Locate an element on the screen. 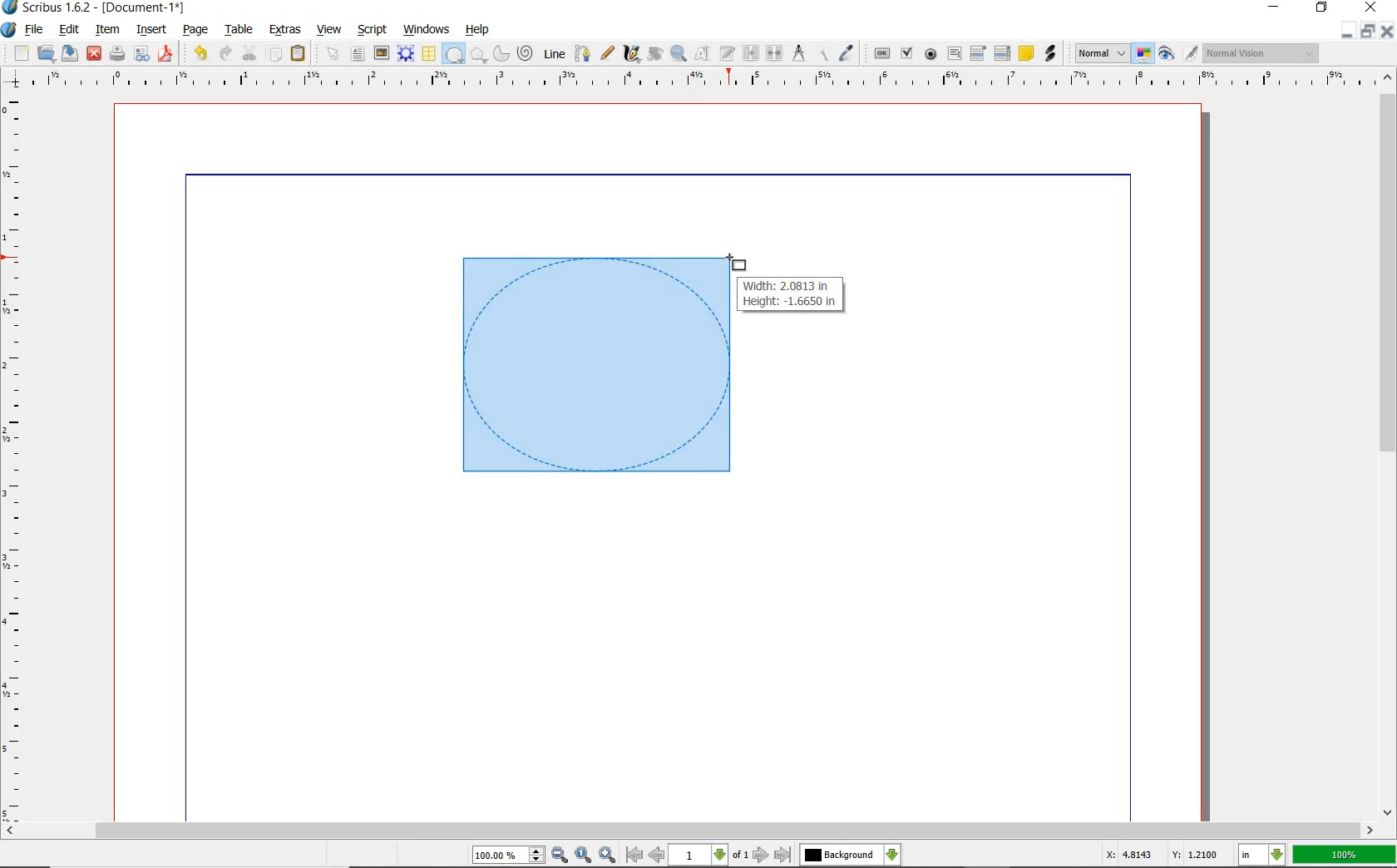 This screenshot has height=868, width=1397. COPY is located at coordinates (276, 54).